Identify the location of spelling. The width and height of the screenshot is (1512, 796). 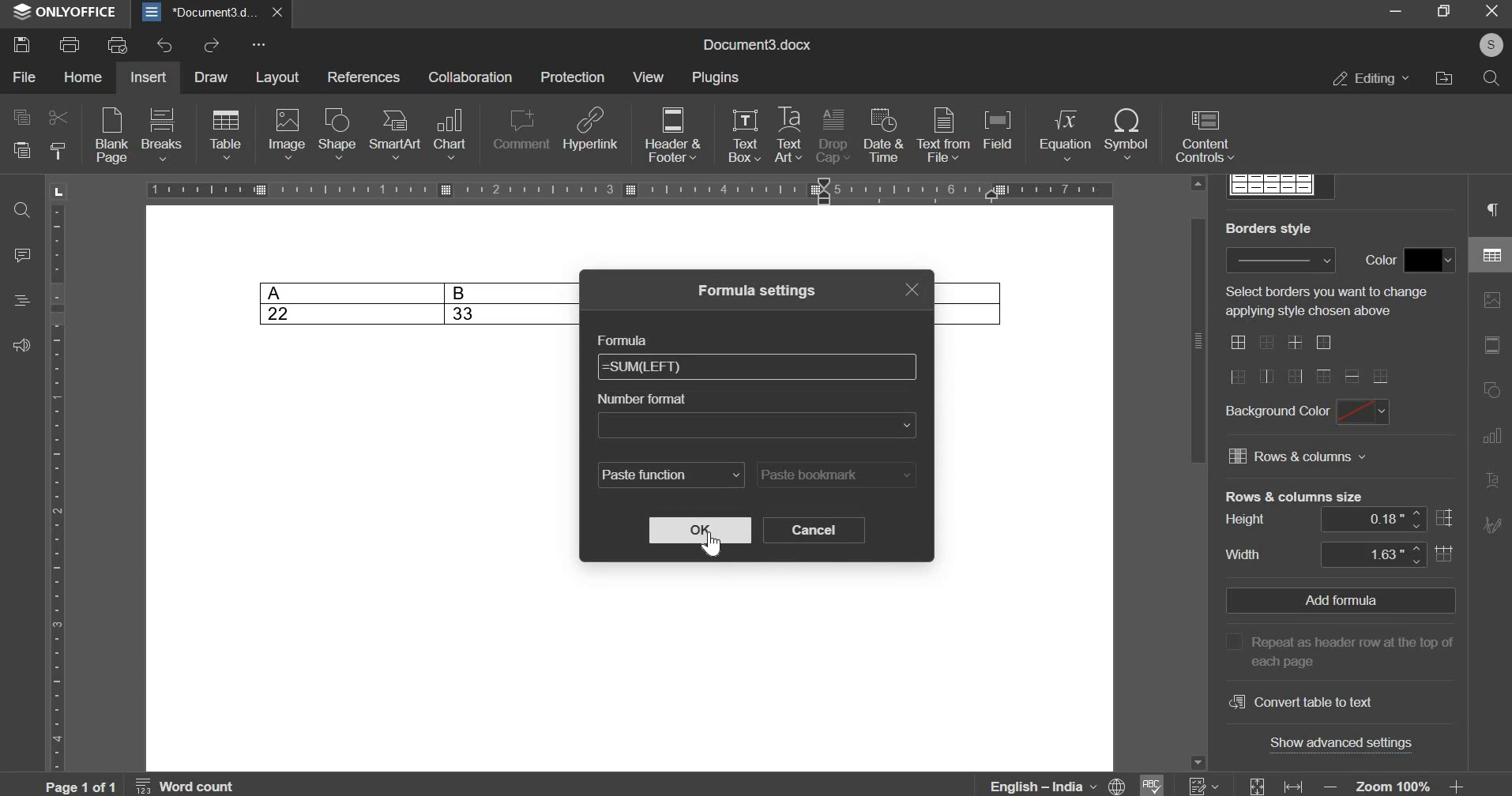
(1152, 784).